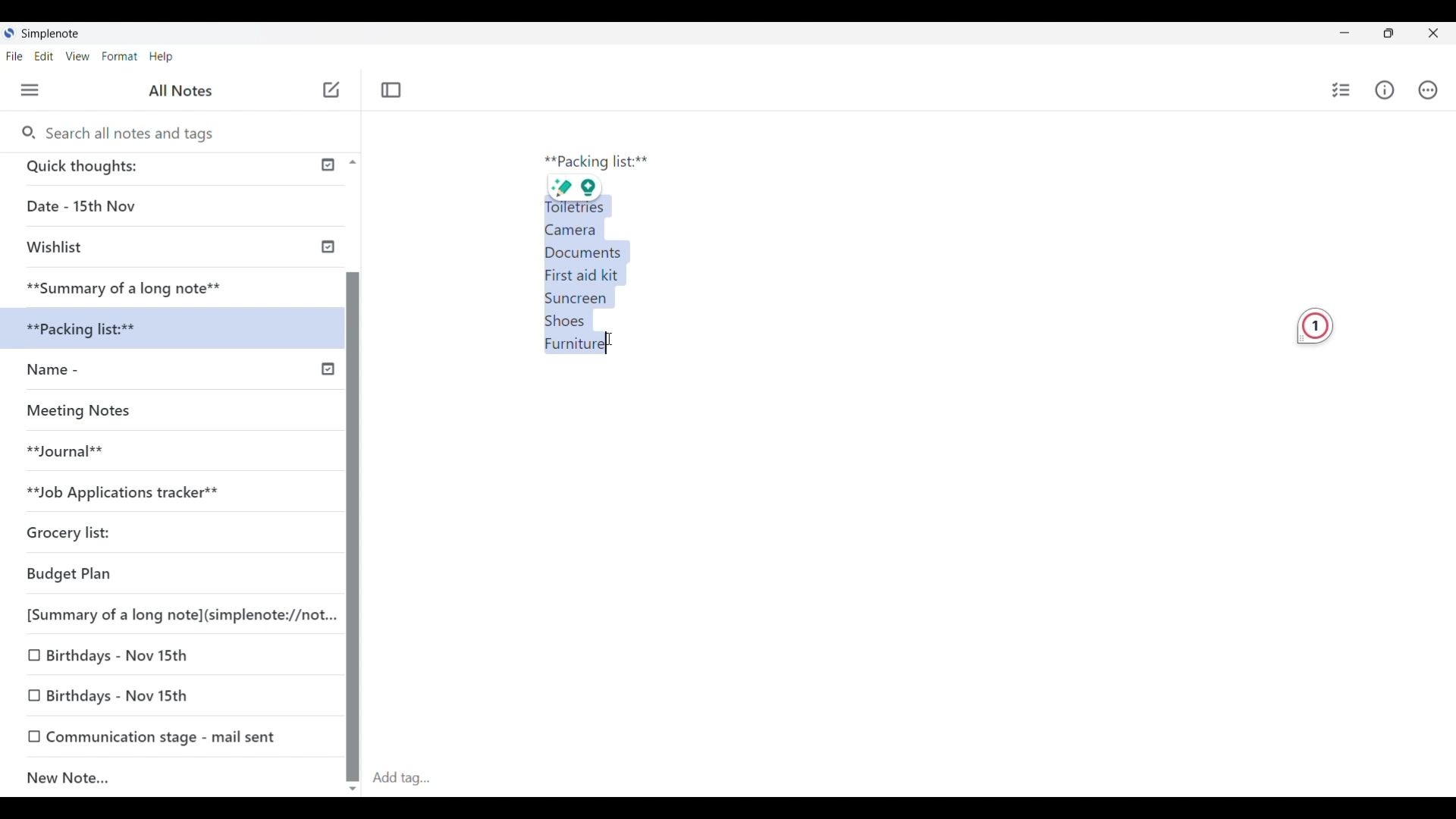 The height and width of the screenshot is (819, 1456). What do you see at coordinates (30, 90) in the screenshot?
I see `Menu` at bounding box center [30, 90].